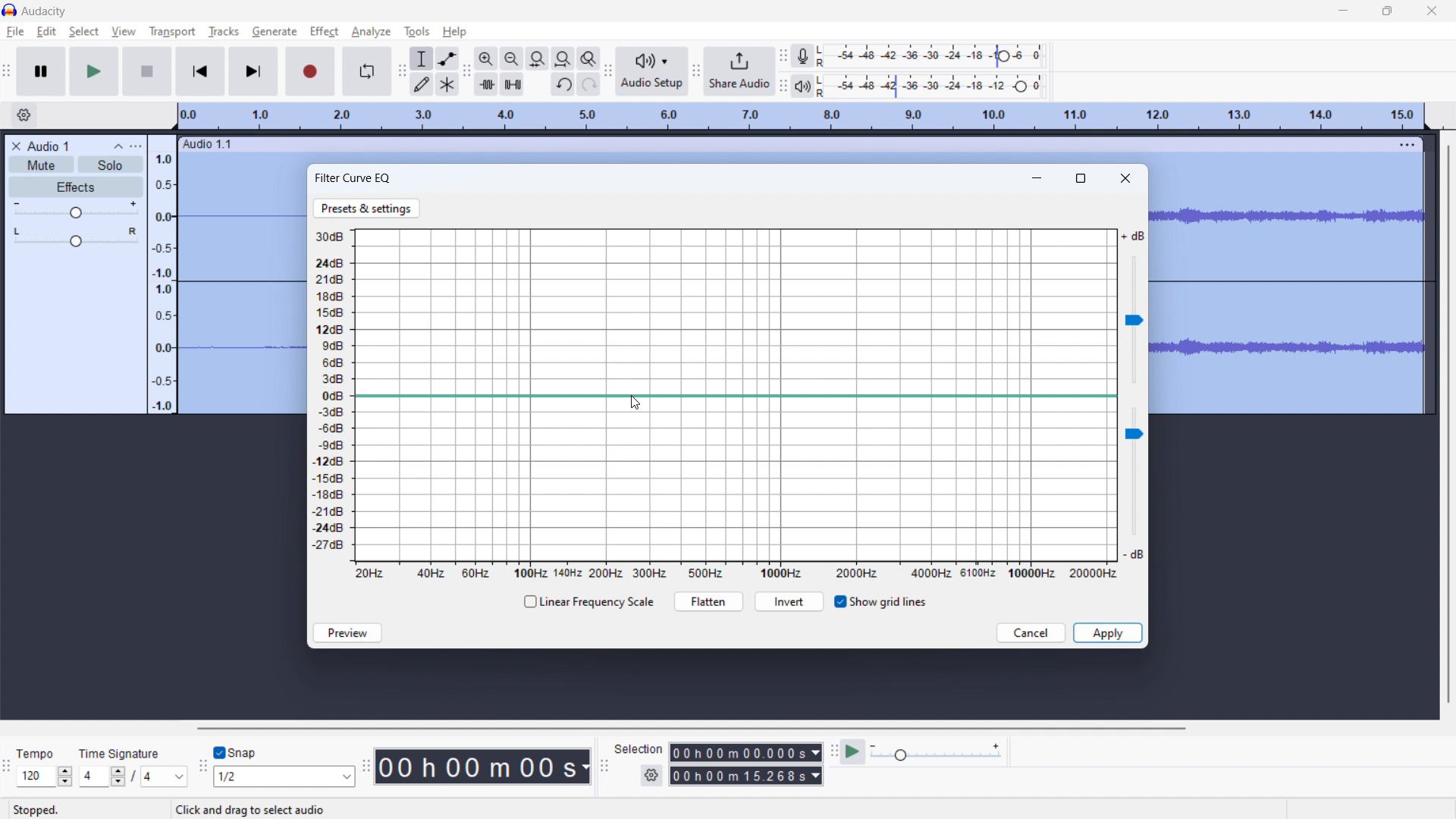  I want to click on play at speed toolbar, so click(833, 752).